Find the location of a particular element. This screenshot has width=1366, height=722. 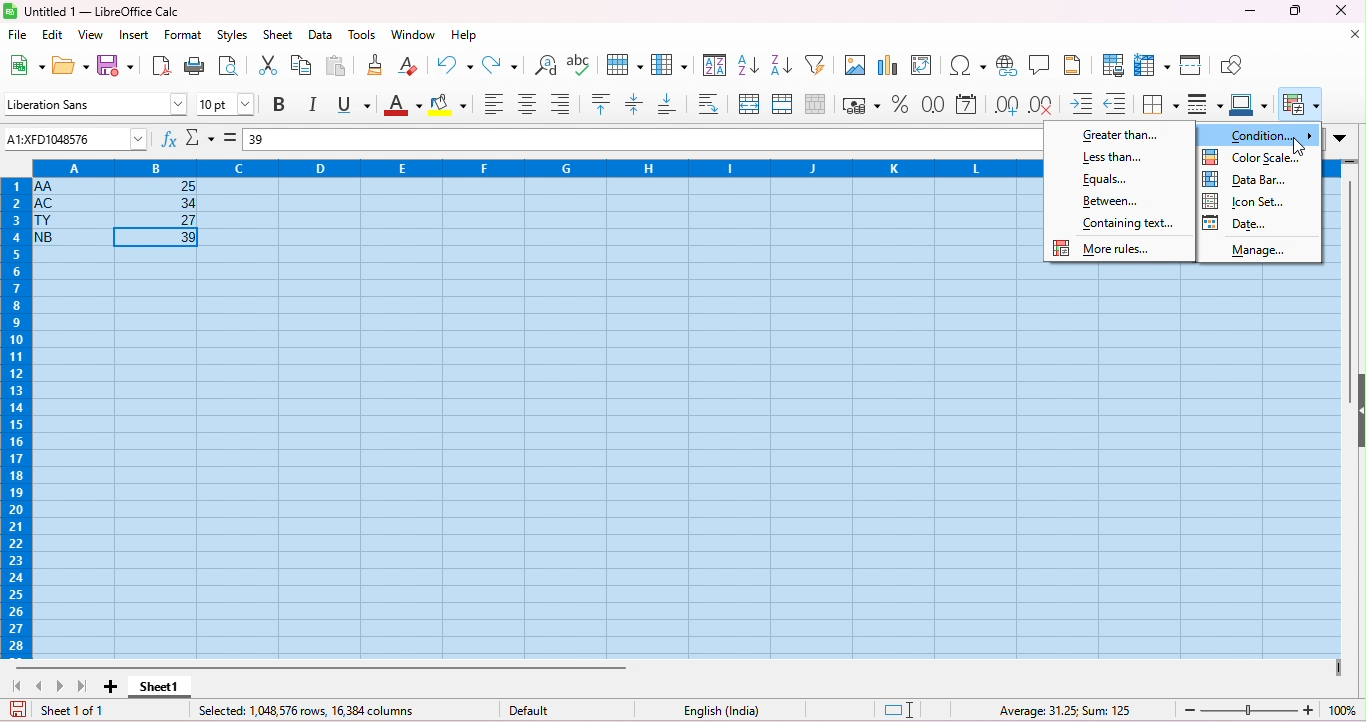

show draw functions is located at coordinates (1232, 63).